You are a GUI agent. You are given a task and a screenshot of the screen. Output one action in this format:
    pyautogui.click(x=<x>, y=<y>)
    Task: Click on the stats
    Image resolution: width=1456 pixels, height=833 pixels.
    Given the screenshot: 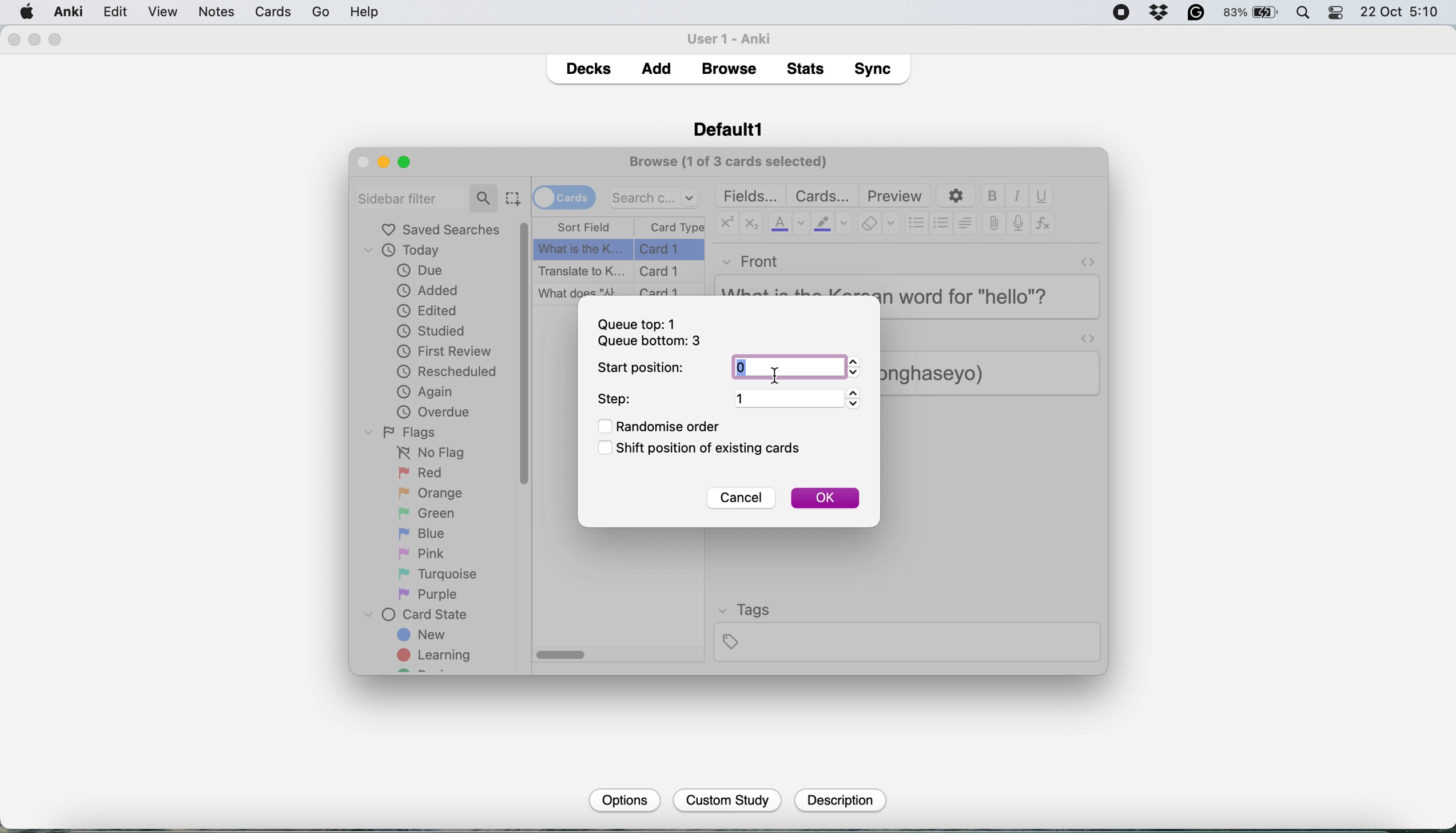 What is the action you would take?
    pyautogui.click(x=809, y=68)
    